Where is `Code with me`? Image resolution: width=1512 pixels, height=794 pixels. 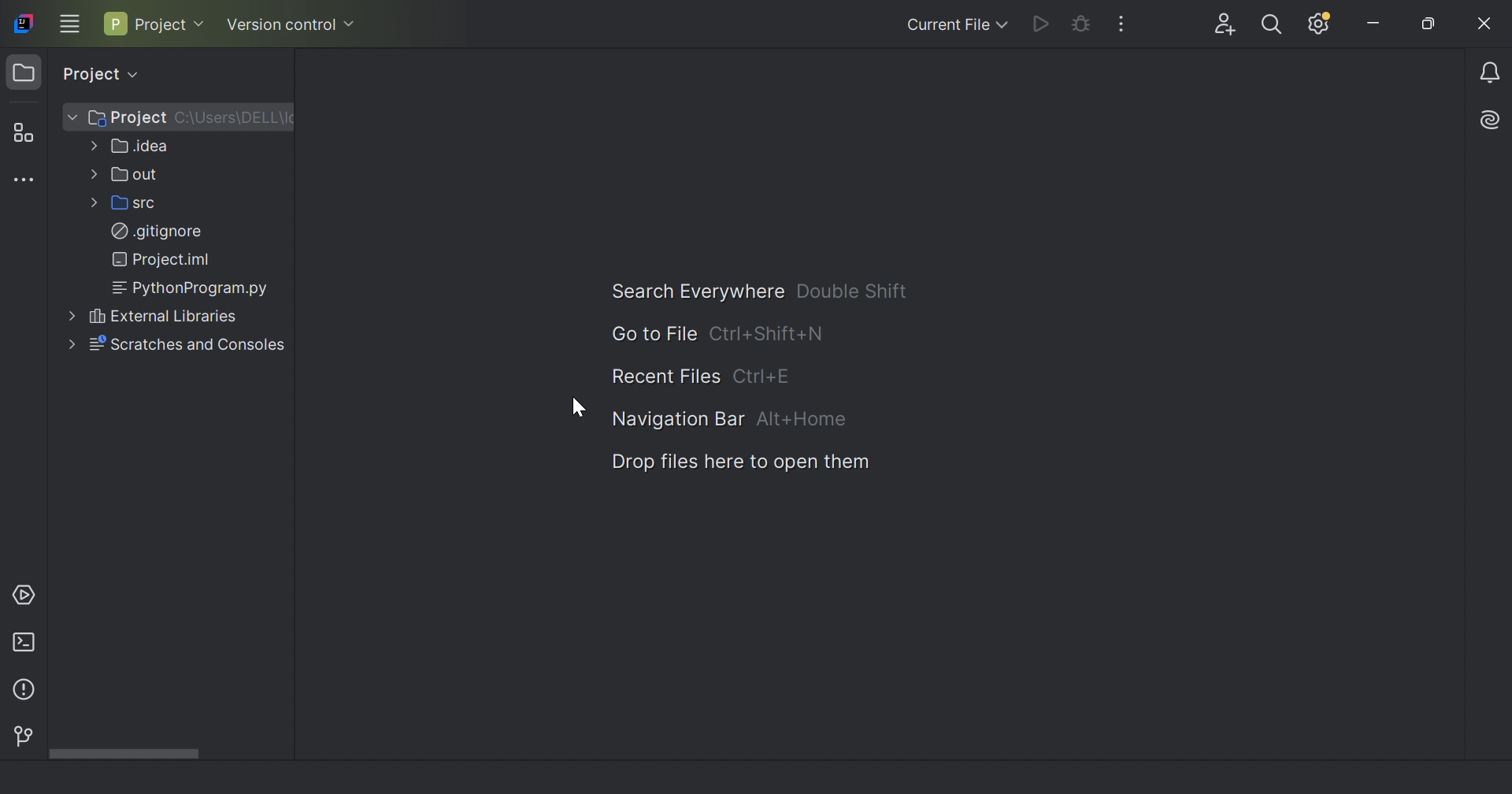 Code with me is located at coordinates (1220, 25).